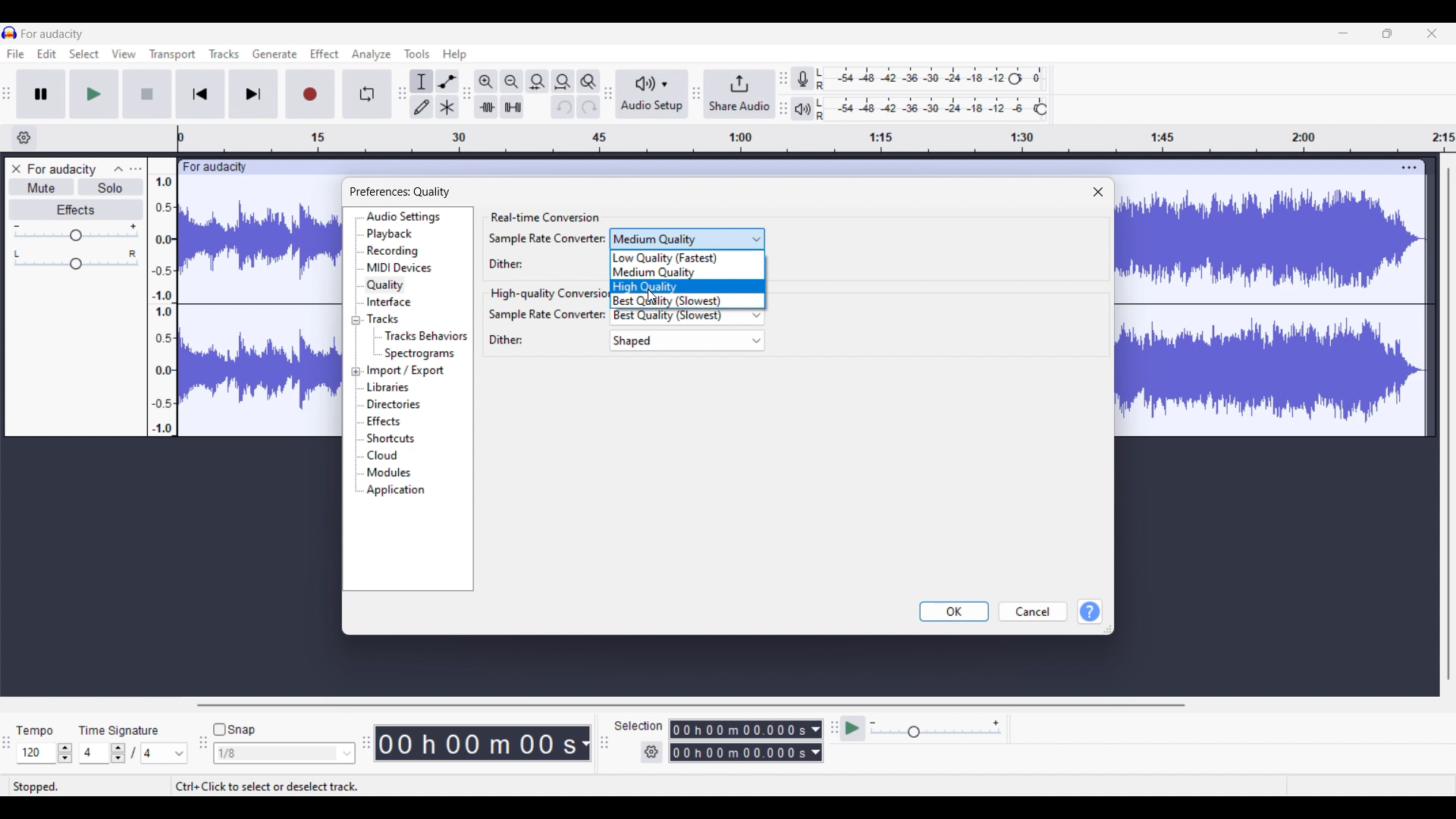 The width and height of the screenshot is (1456, 819). Describe the element at coordinates (689, 286) in the screenshot. I see `high quality` at that location.